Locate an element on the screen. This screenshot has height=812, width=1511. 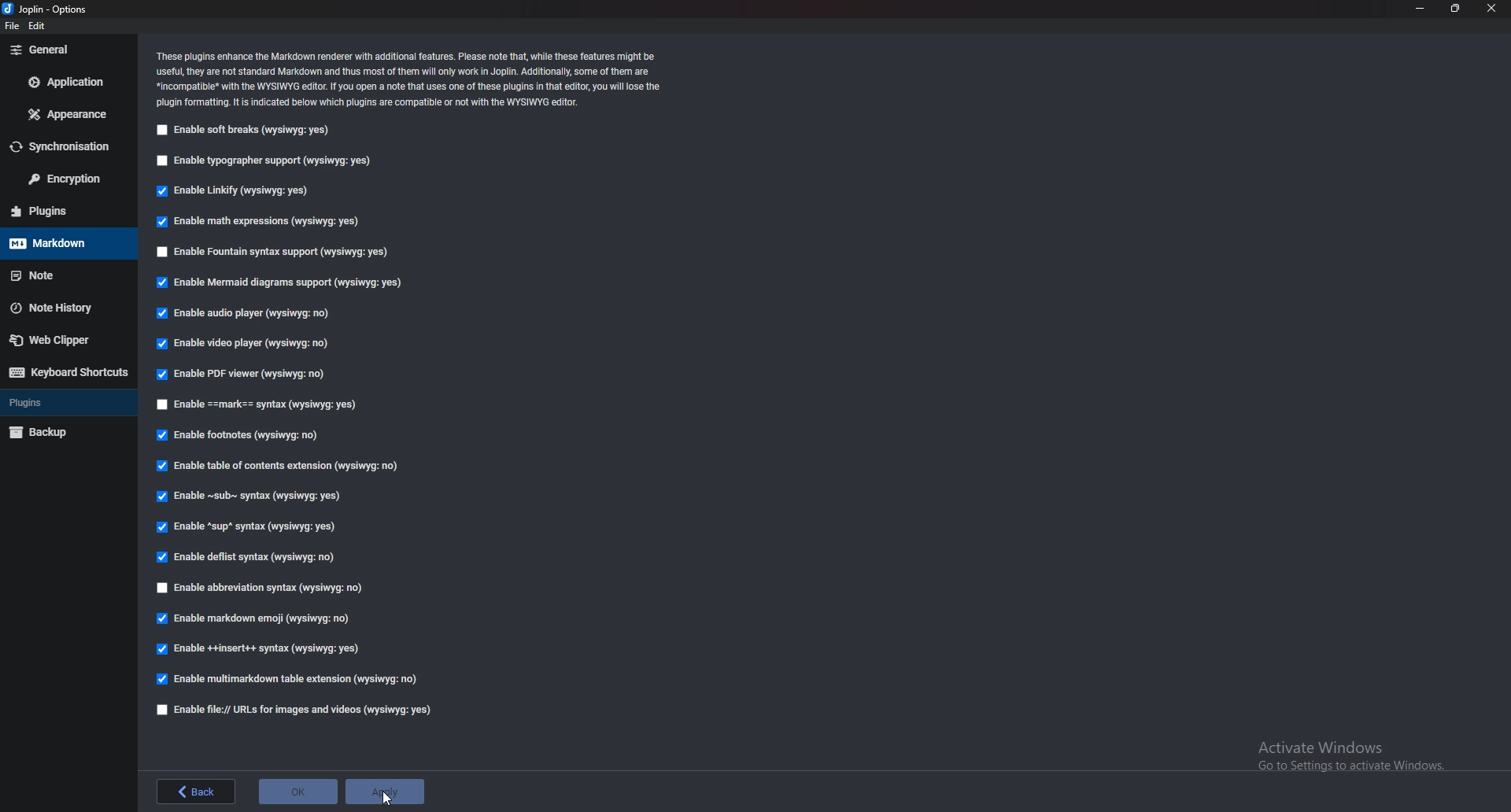
encryption is located at coordinates (63, 180).